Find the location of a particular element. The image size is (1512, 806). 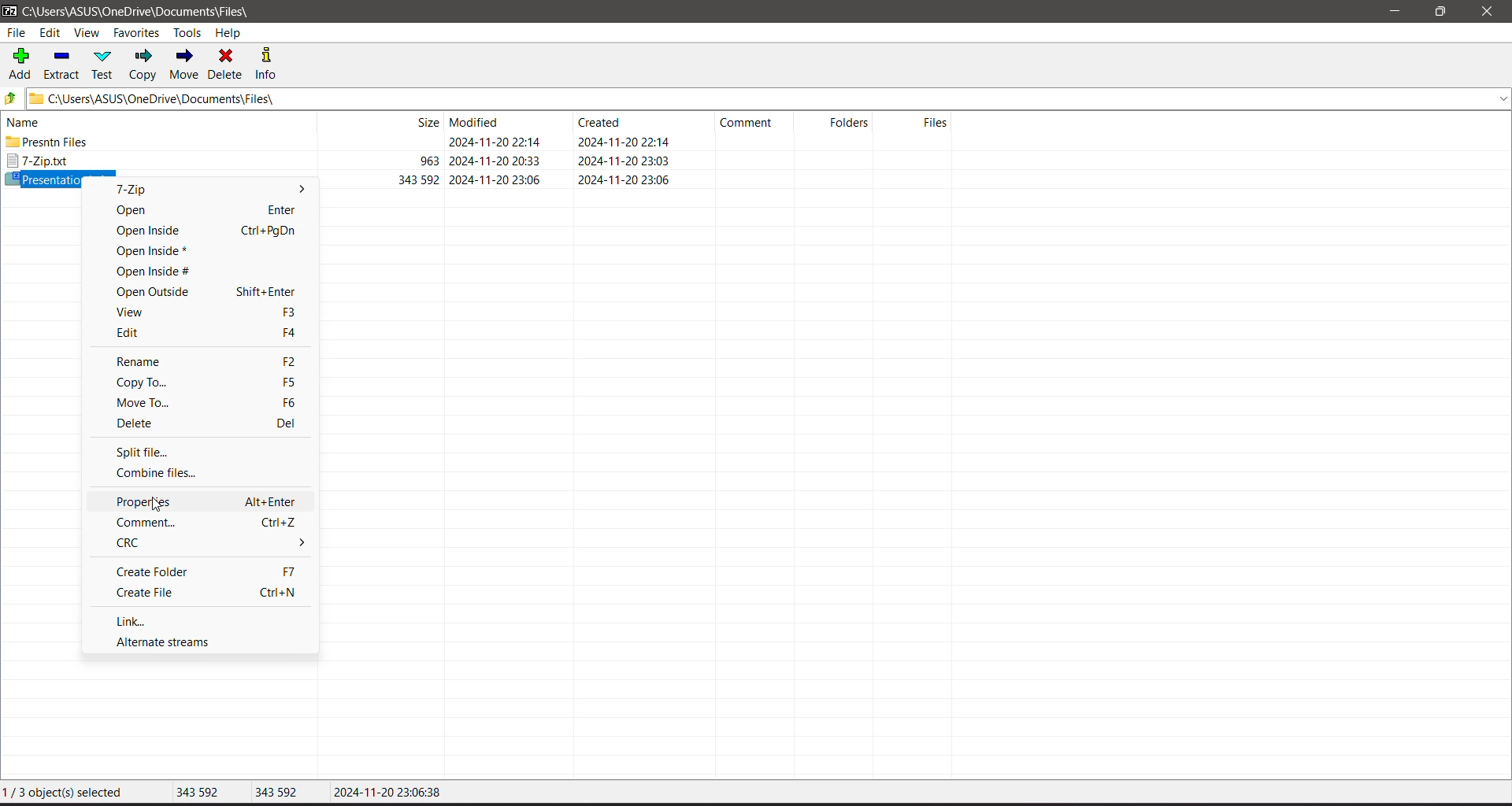

View is located at coordinates (198, 312).